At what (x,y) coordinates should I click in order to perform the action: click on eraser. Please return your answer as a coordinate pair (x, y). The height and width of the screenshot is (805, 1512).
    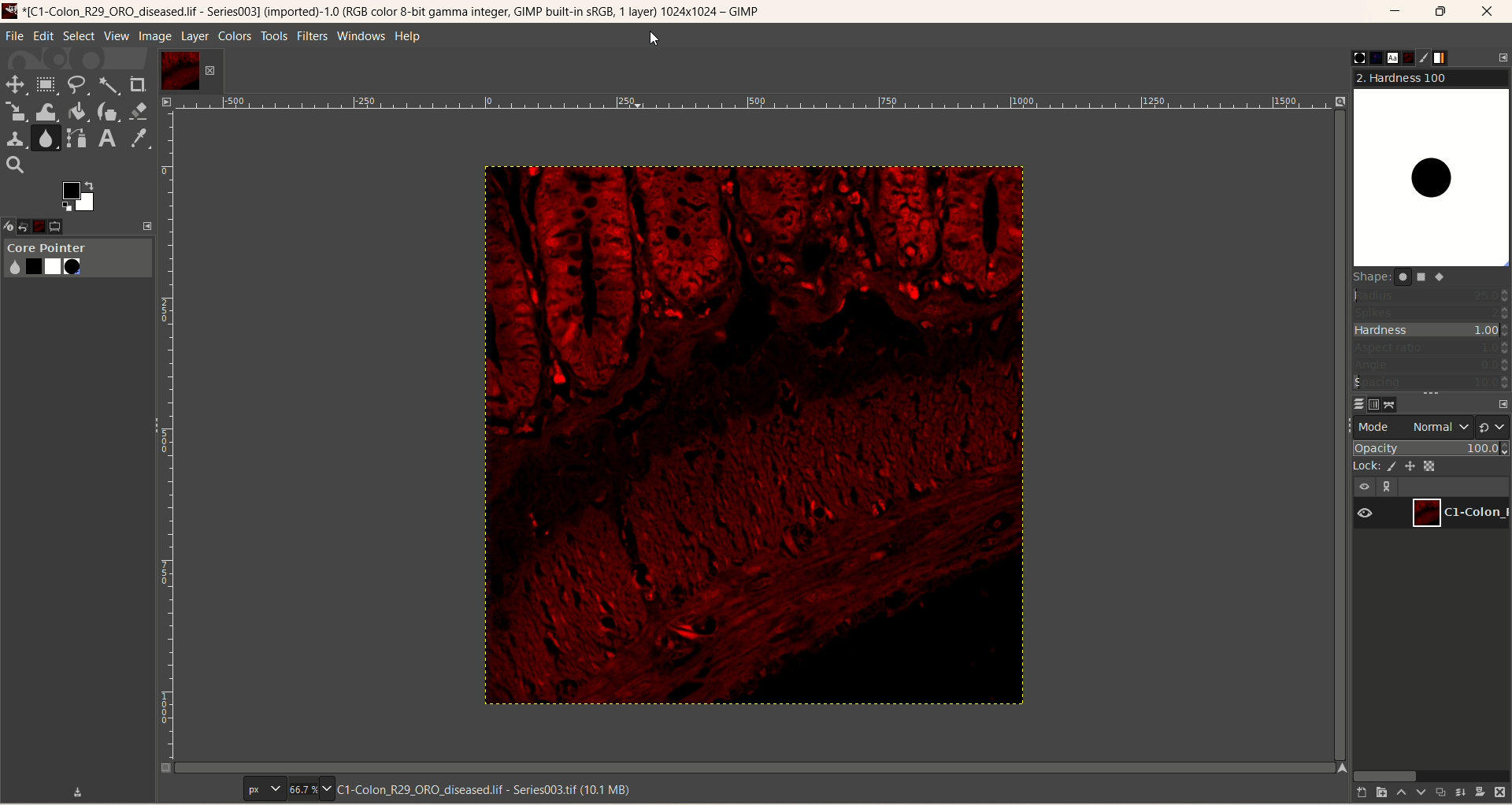
    Looking at the image, I should click on (140, 111).